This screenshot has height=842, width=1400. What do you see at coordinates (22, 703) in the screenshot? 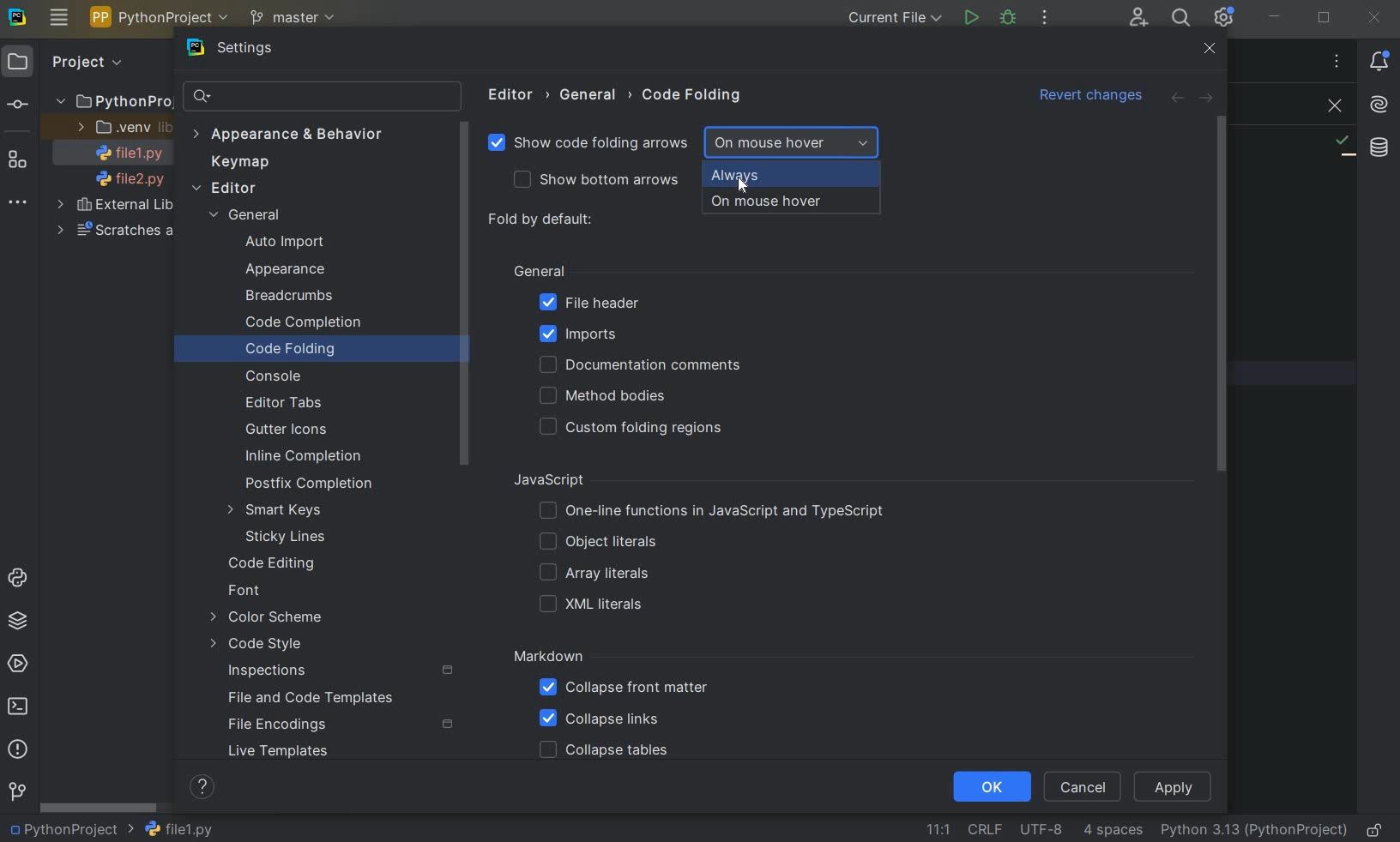
I see `TERMINAL` at bounding box center [22, 703].